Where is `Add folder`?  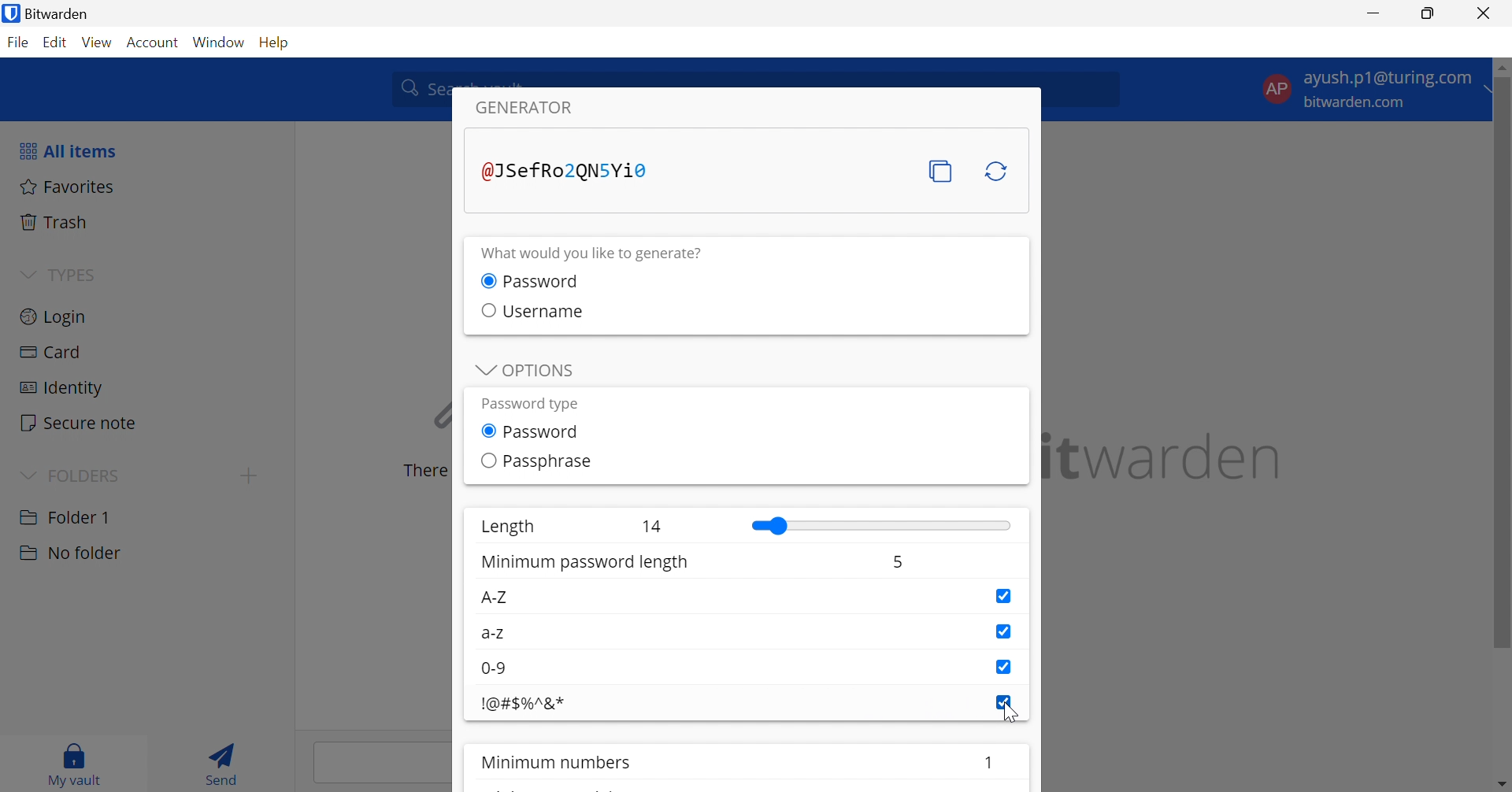
Add folder is located at coordinates (253, 475).